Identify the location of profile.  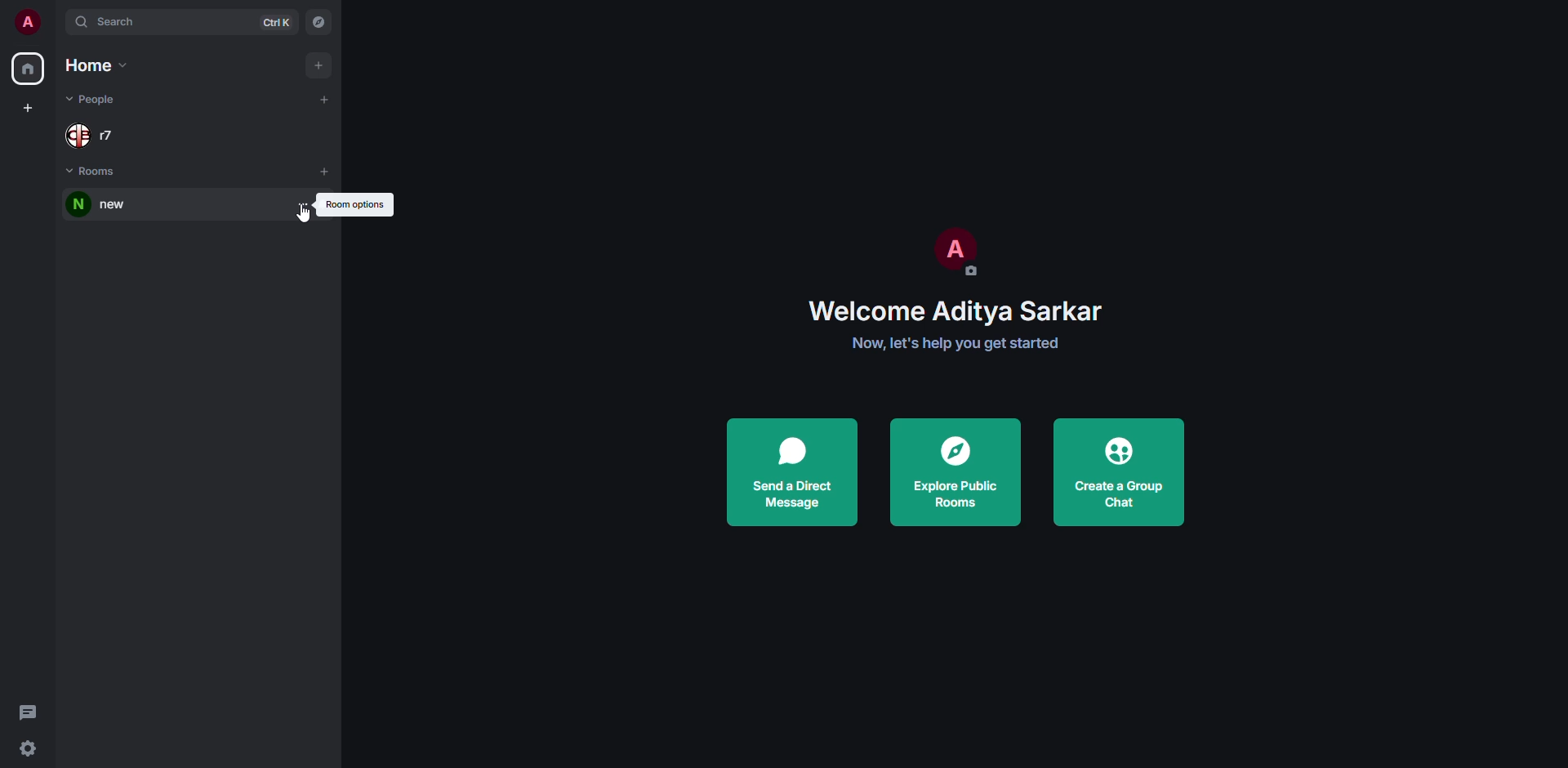
(953, 253).